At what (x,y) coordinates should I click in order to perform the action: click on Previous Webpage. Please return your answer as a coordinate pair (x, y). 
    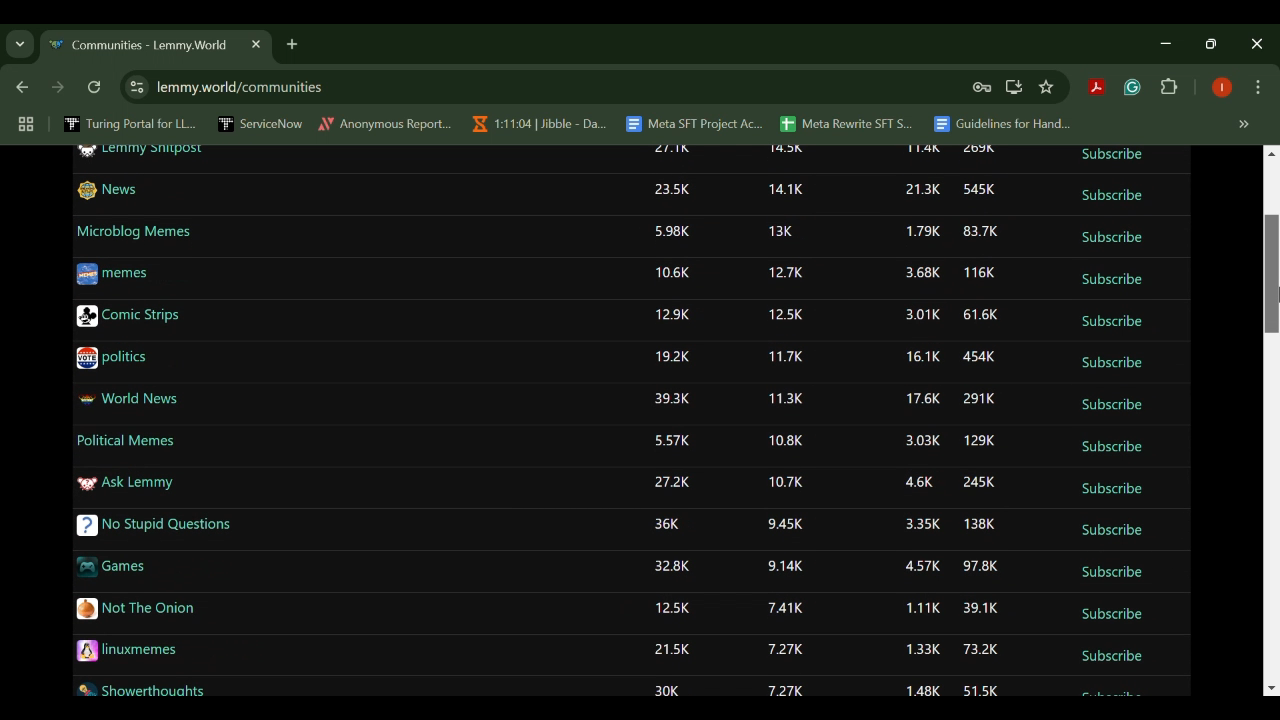
    Looking at the image, I should click on (19, 89).